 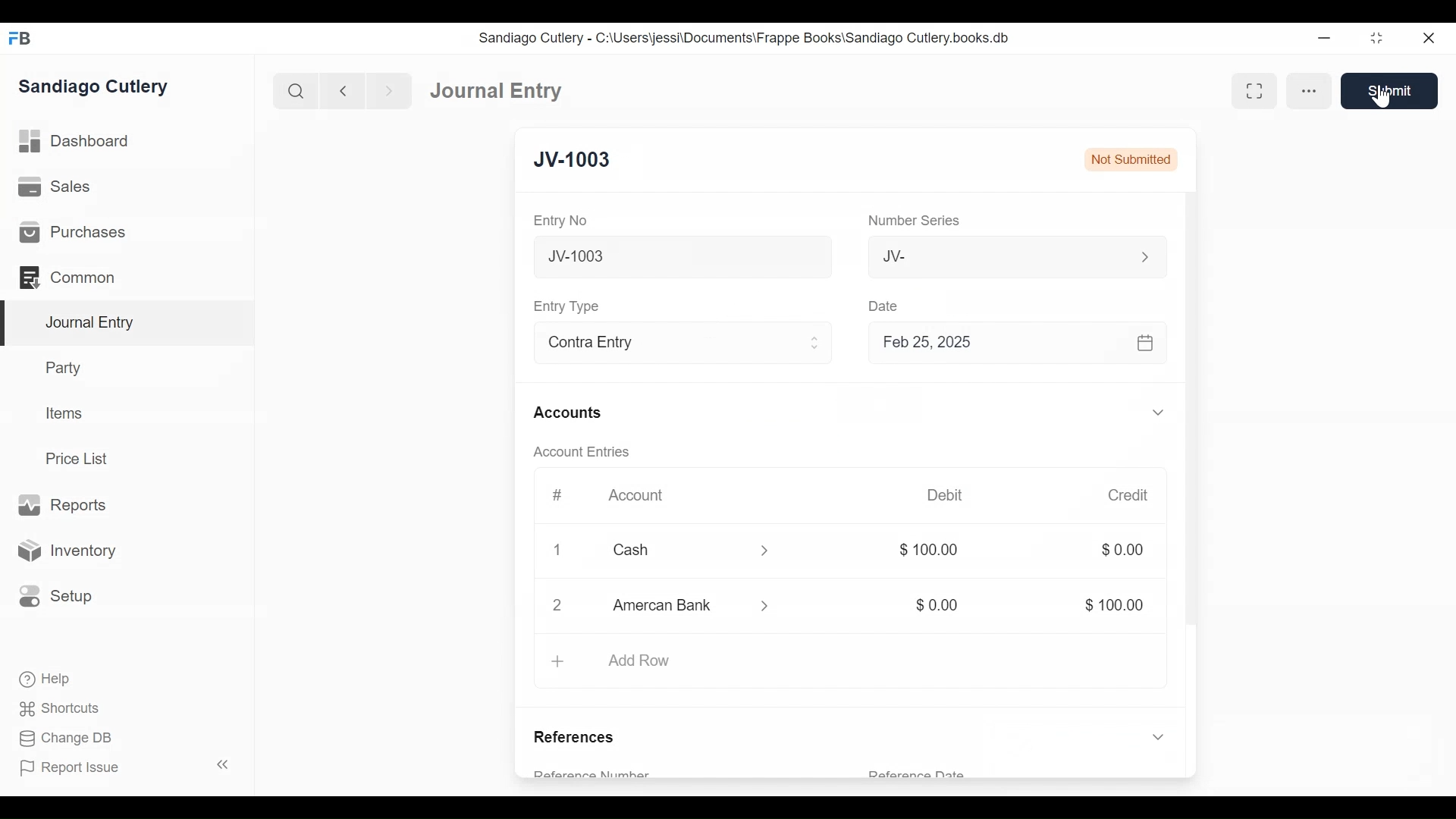 What do you see at coordinates (68, 276) in the screenshot?
I see `Common` at bounding box center [68, 276].